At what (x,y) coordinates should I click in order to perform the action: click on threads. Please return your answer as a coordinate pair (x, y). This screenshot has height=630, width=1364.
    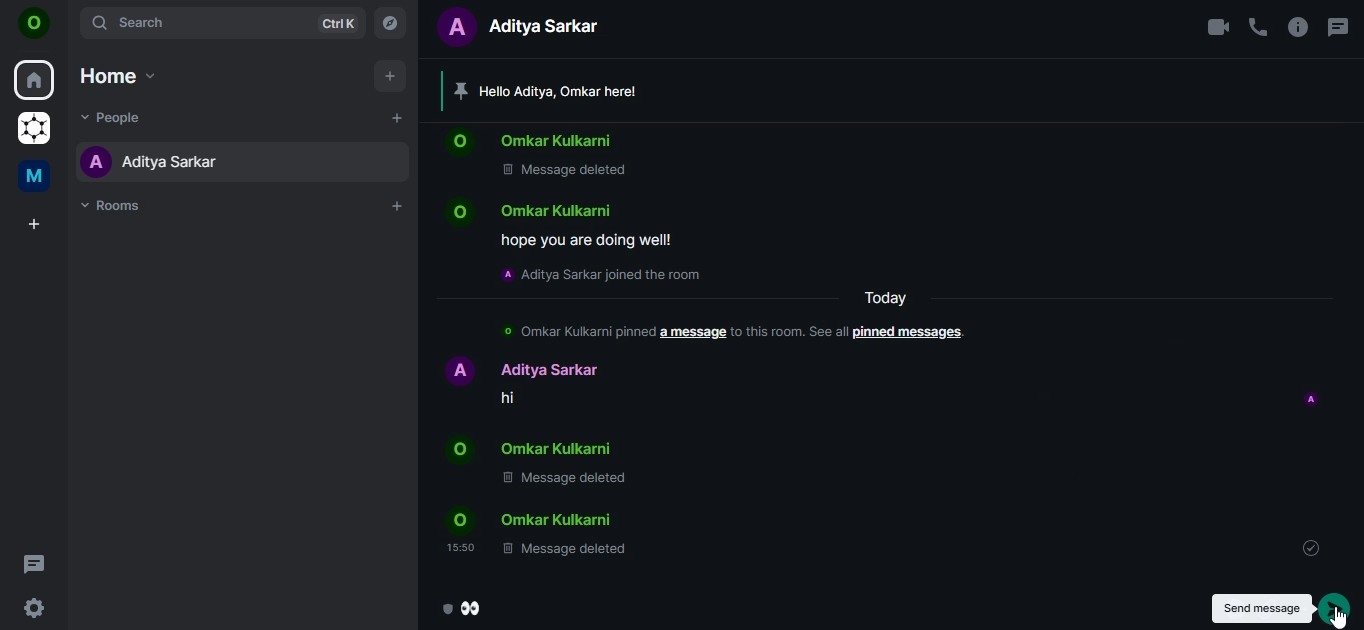
    Looking at the image, I should click on (35, 563).